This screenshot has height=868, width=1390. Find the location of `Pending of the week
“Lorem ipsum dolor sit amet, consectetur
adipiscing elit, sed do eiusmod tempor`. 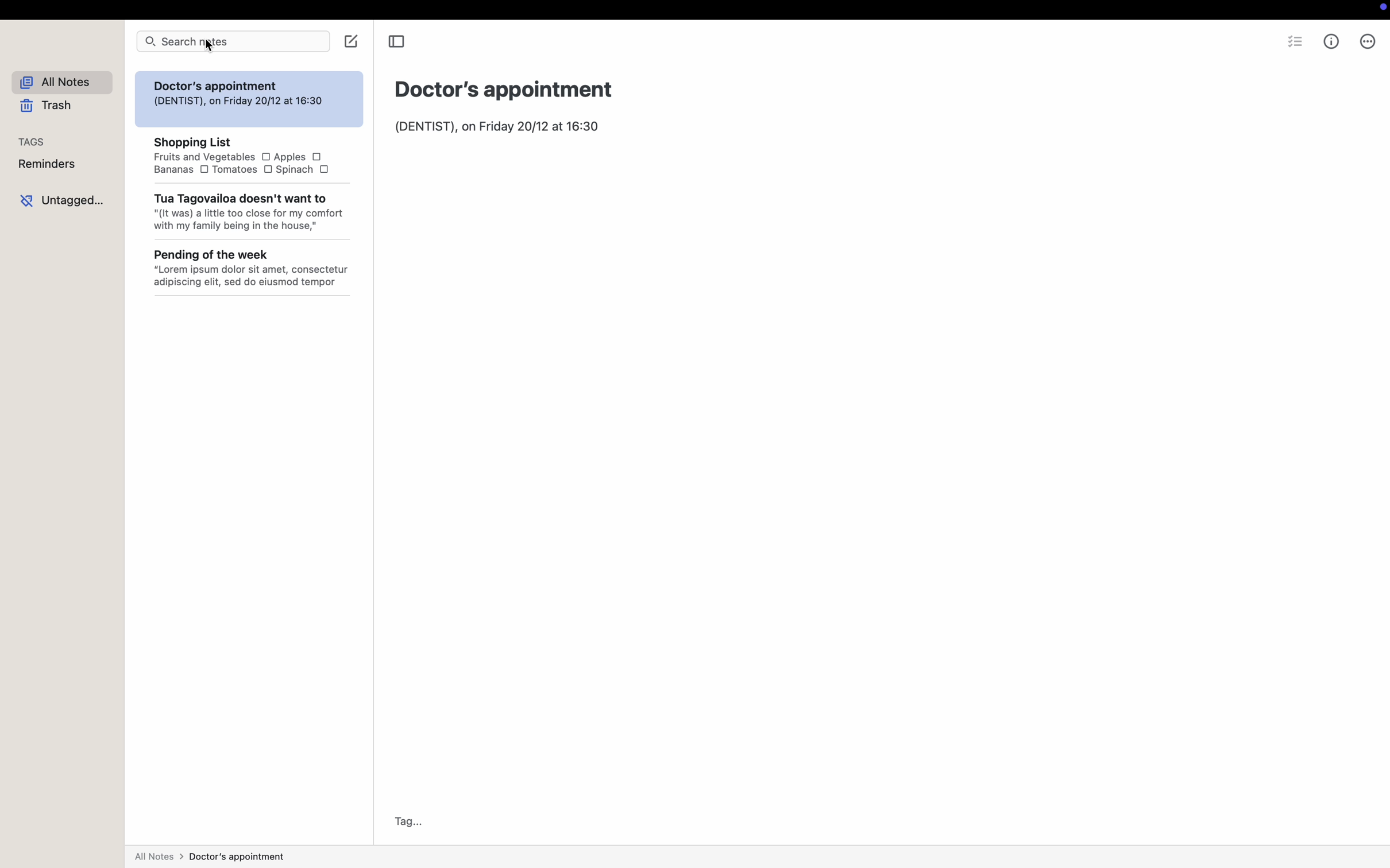

Pending of the week
“Lorem ipsum dolor sit amet, consectetur
adipiscing elit, sed do eiusmod tempor is located at coordinates (256, 276).